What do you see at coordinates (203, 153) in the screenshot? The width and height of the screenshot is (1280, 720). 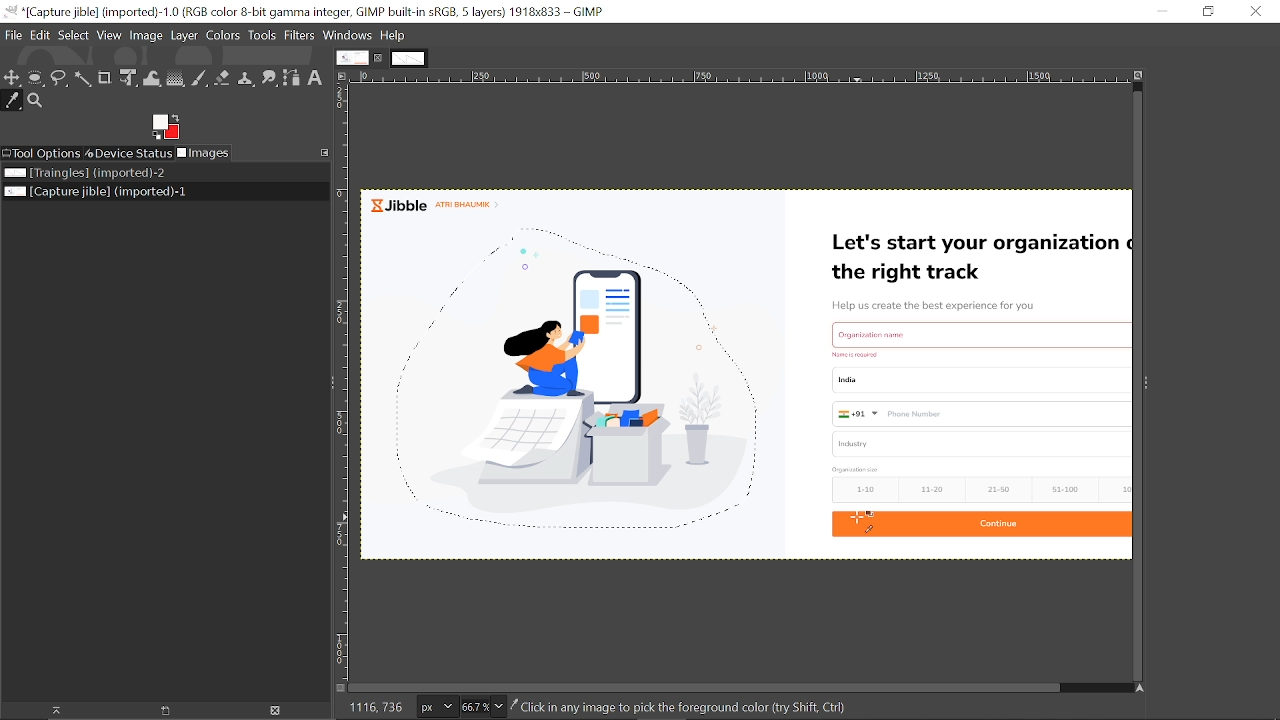 I see `Images` at bounding box center [203, 153].